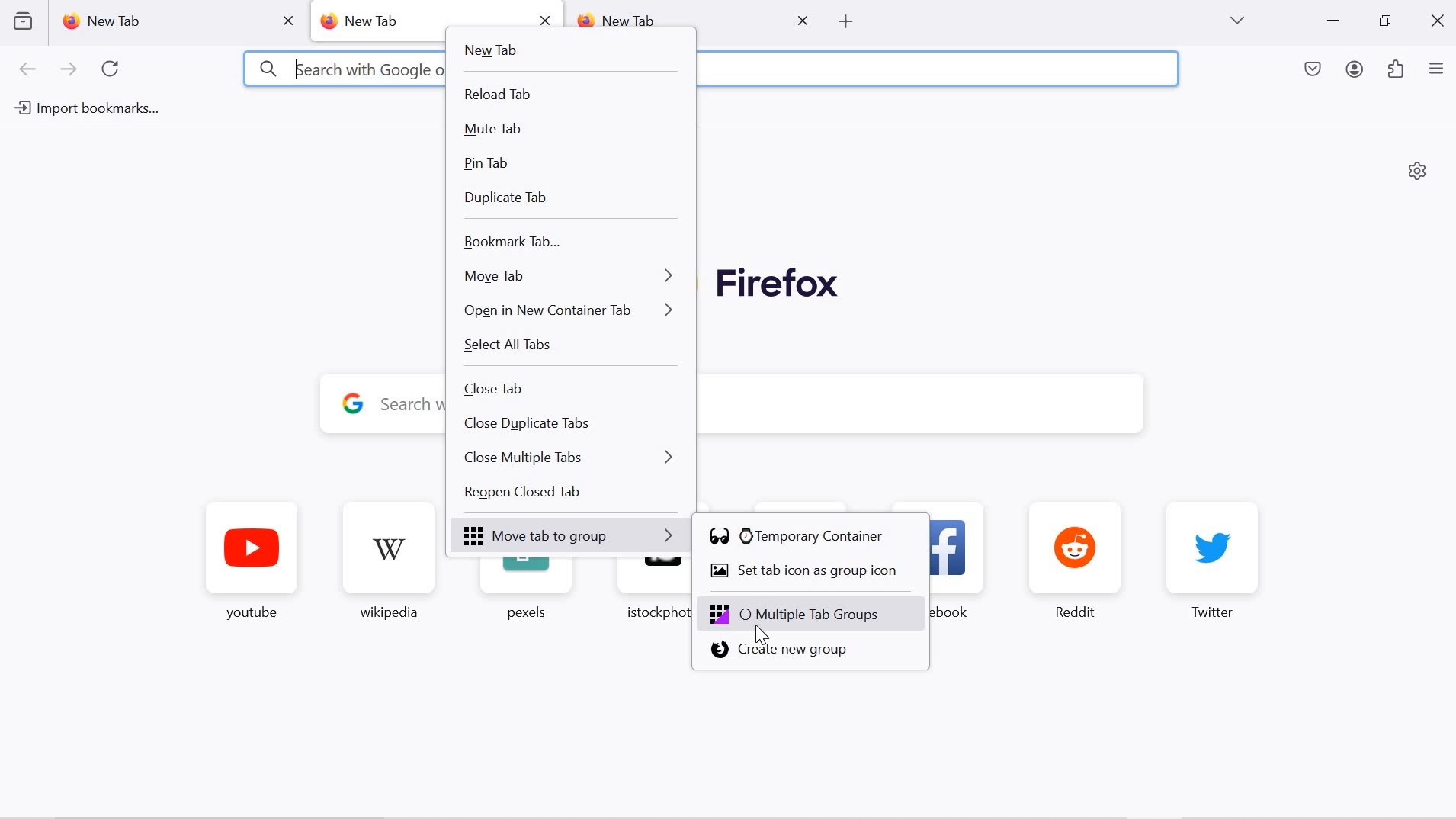  What do you see at coordinates (571, 389) in the screenshot?
I see `close tab` at bounding box center [571, 389].